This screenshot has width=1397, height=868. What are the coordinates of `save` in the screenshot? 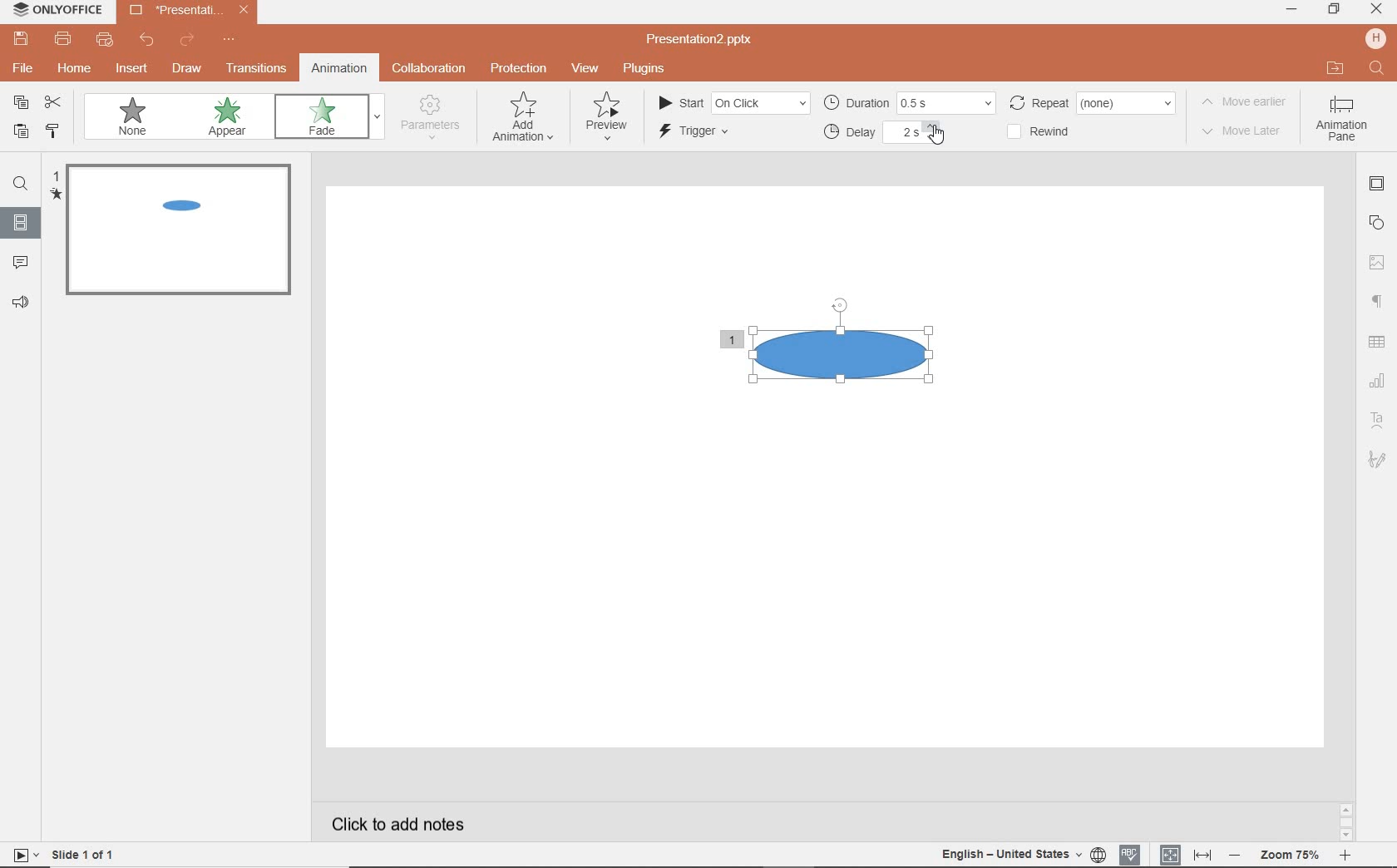 It's located at (21, 41).